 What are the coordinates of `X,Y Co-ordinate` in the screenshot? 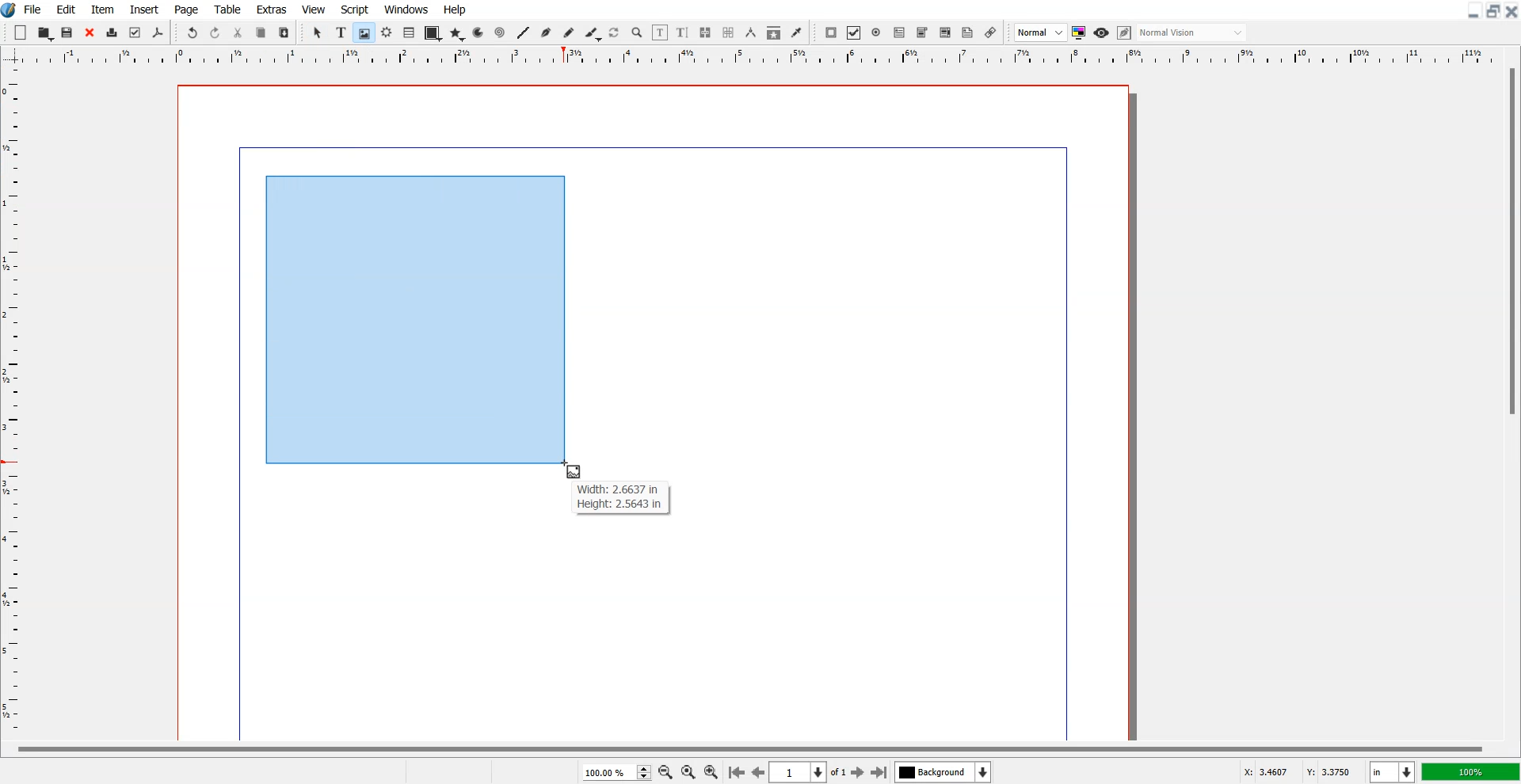 It's located at (1301, 771).